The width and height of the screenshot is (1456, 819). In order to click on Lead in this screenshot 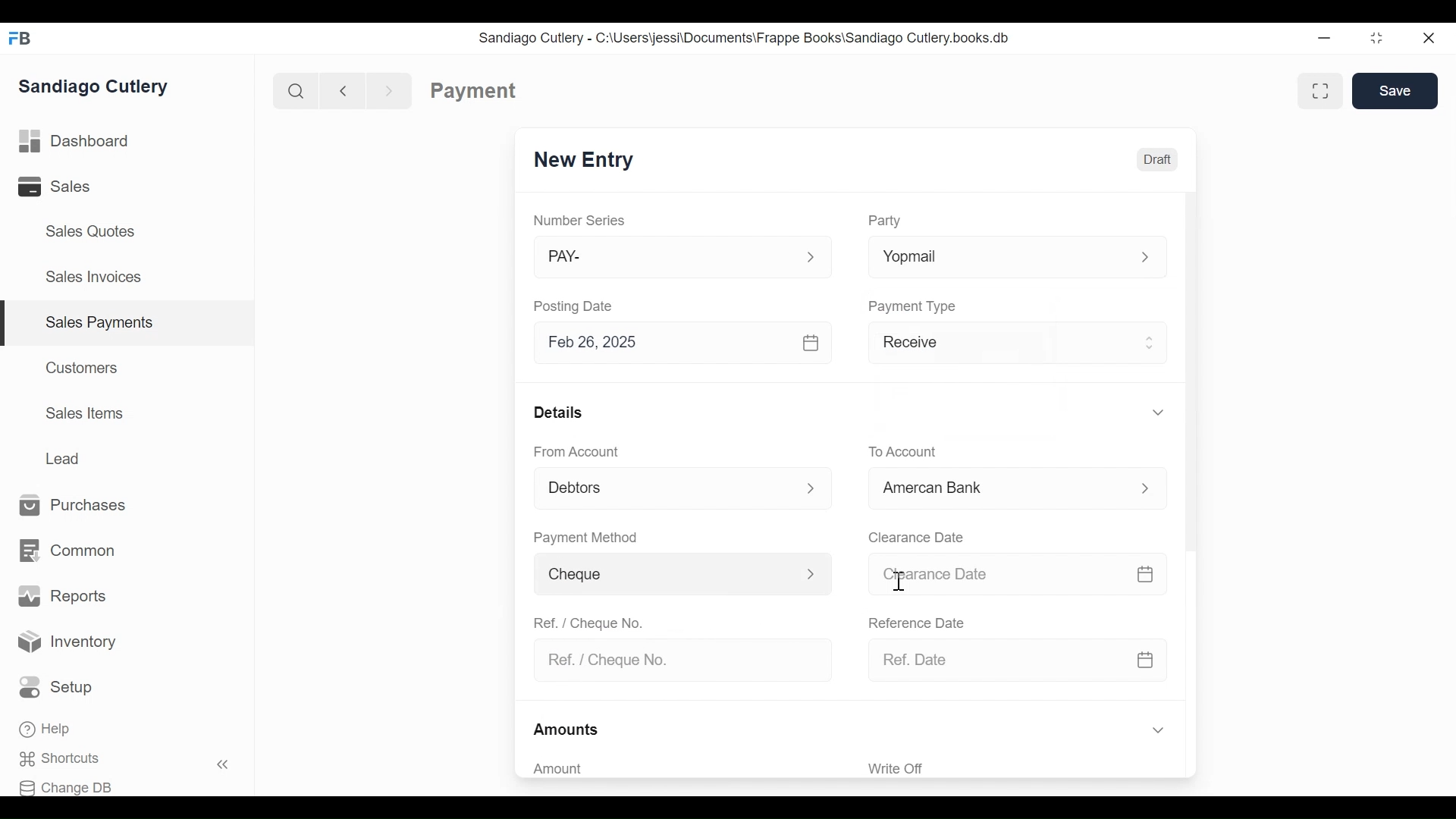, I will do `click(65, 457)`.